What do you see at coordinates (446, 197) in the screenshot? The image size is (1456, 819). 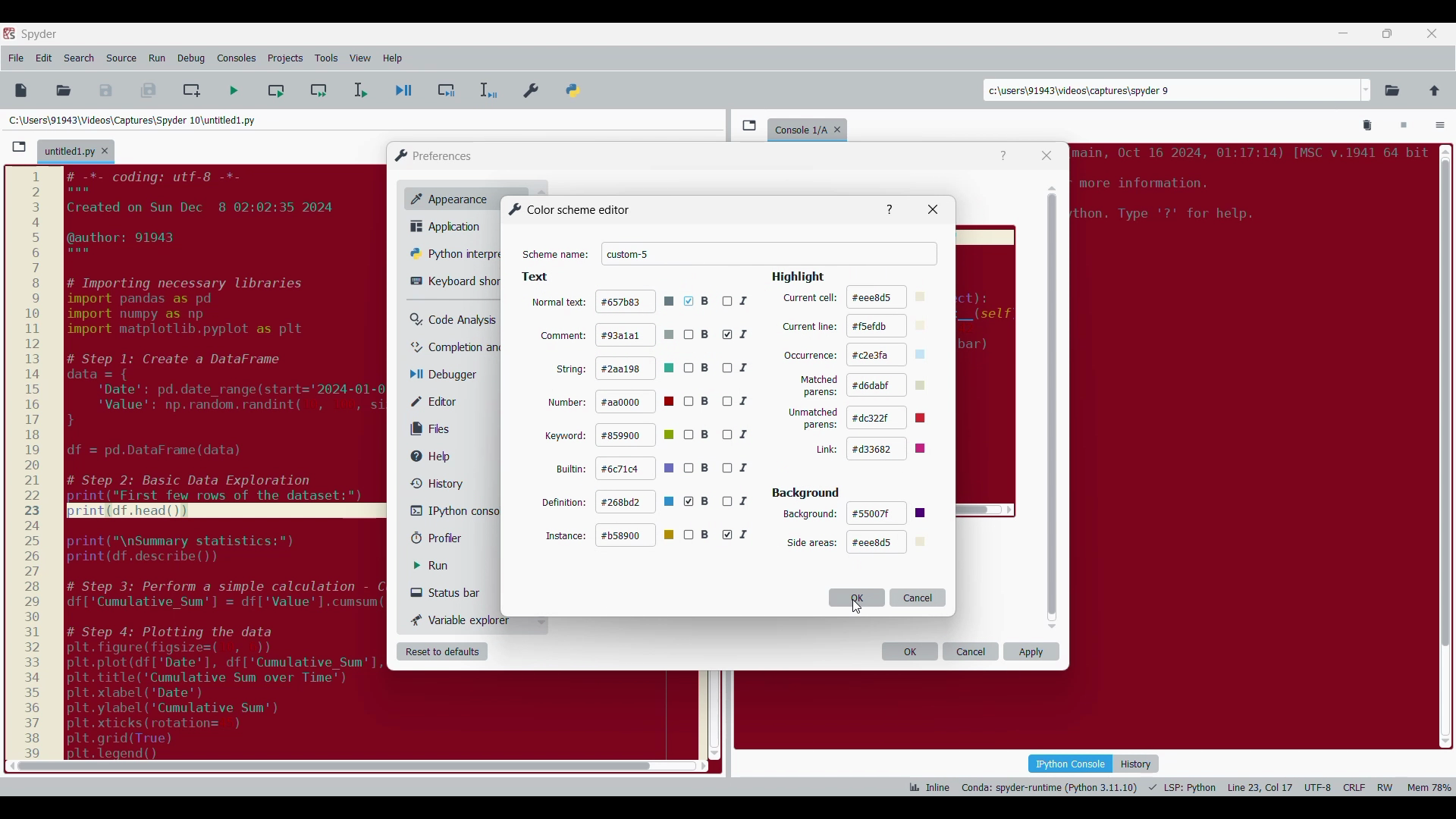 I see `Appearance, current selection highlighted` at bounding box center [446, 197].